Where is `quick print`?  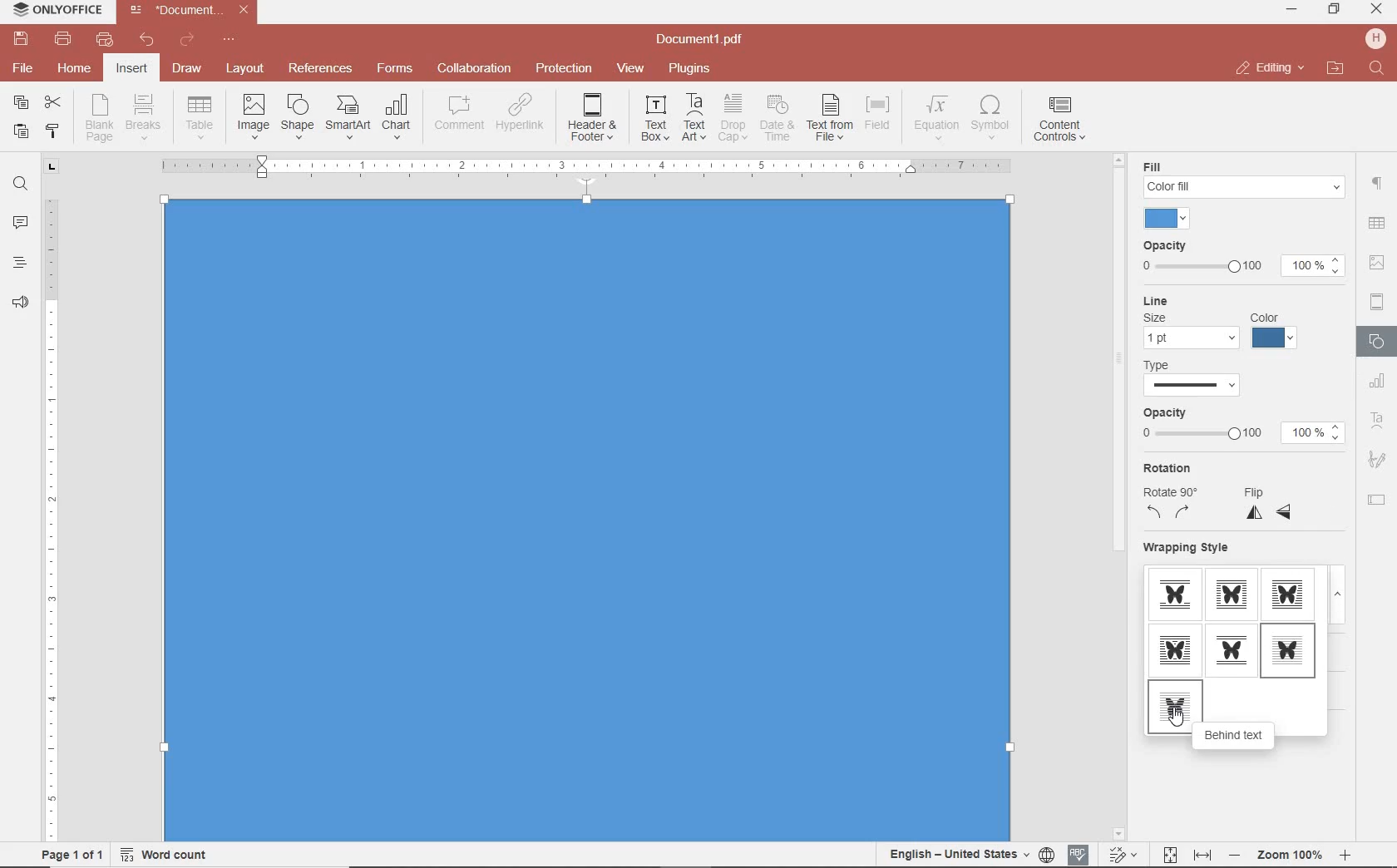 quick print is located at coordinates (103, 39).